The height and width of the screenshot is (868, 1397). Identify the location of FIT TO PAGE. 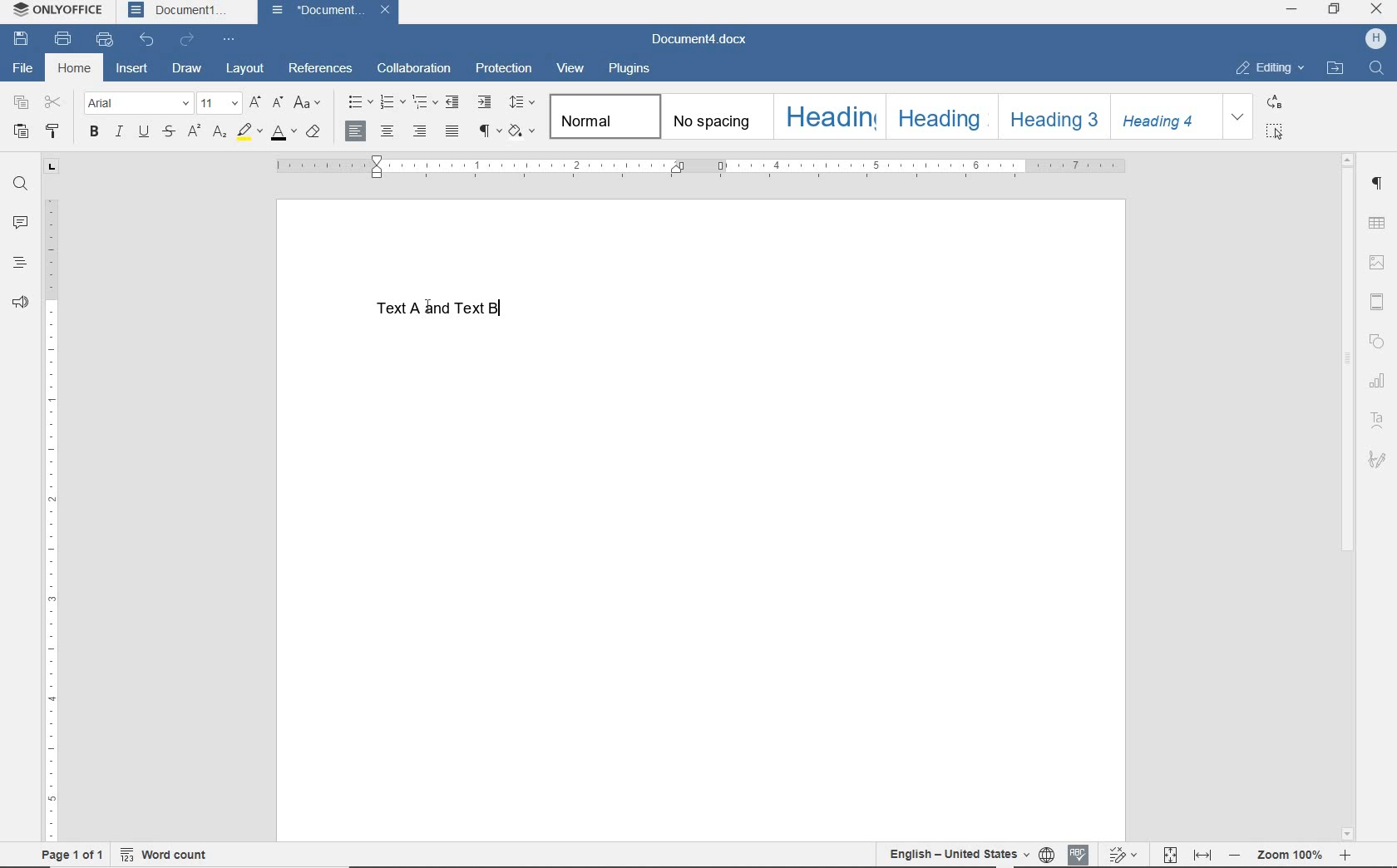
(1170, 853).